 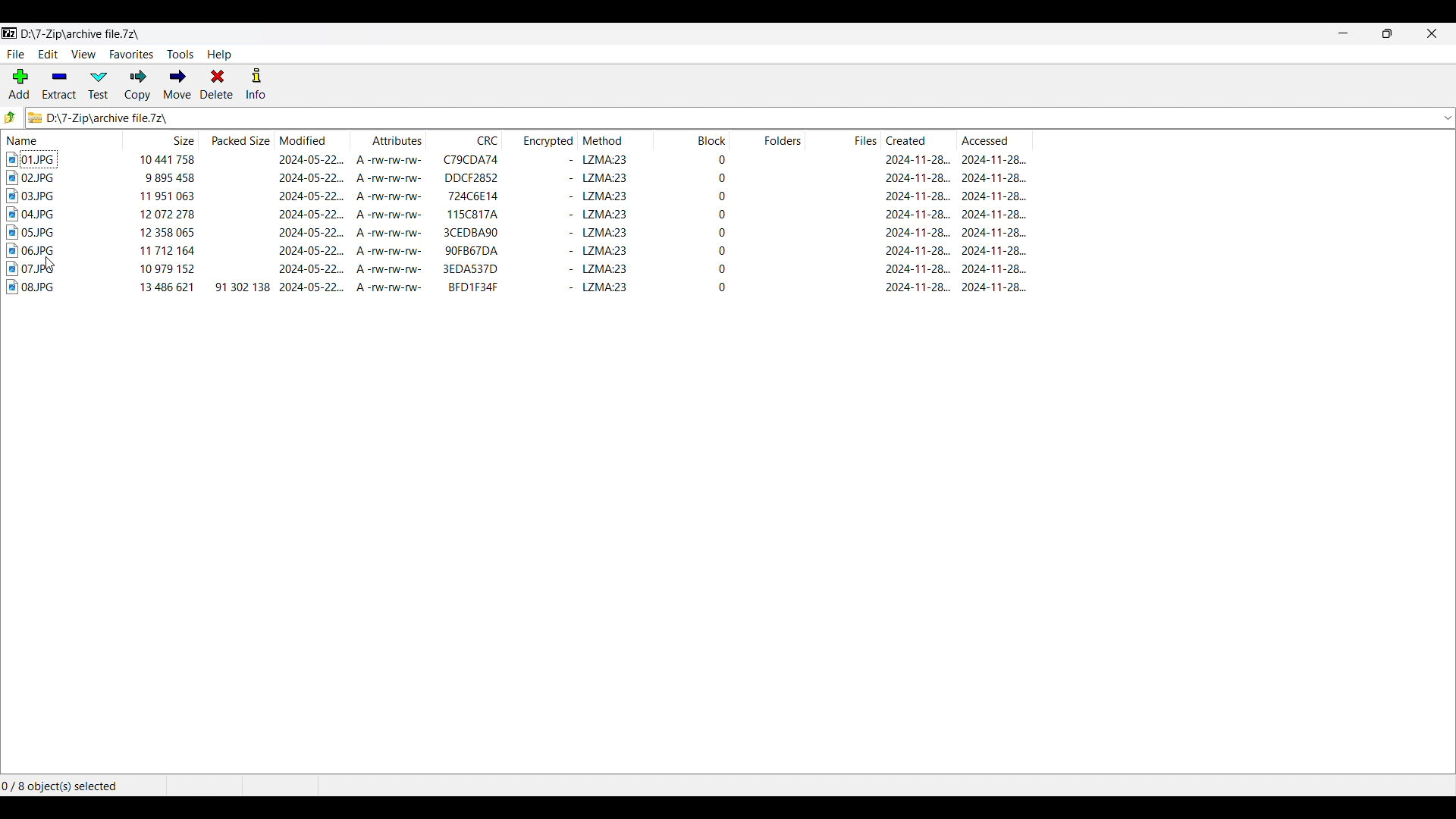 I want to click on CRC column, so click(x=466, y=140).